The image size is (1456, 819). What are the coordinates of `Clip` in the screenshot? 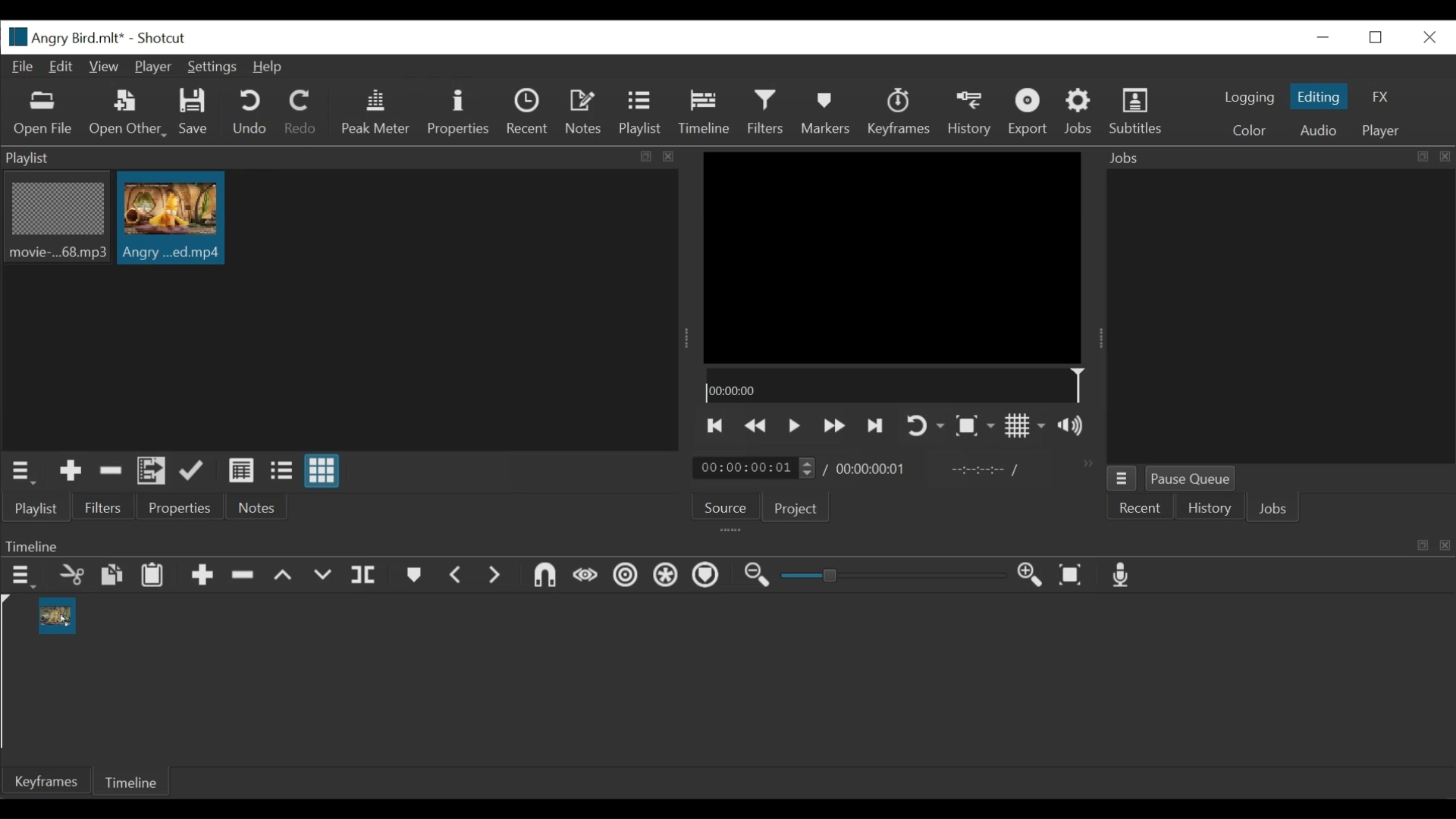 It's located at (171, 218).